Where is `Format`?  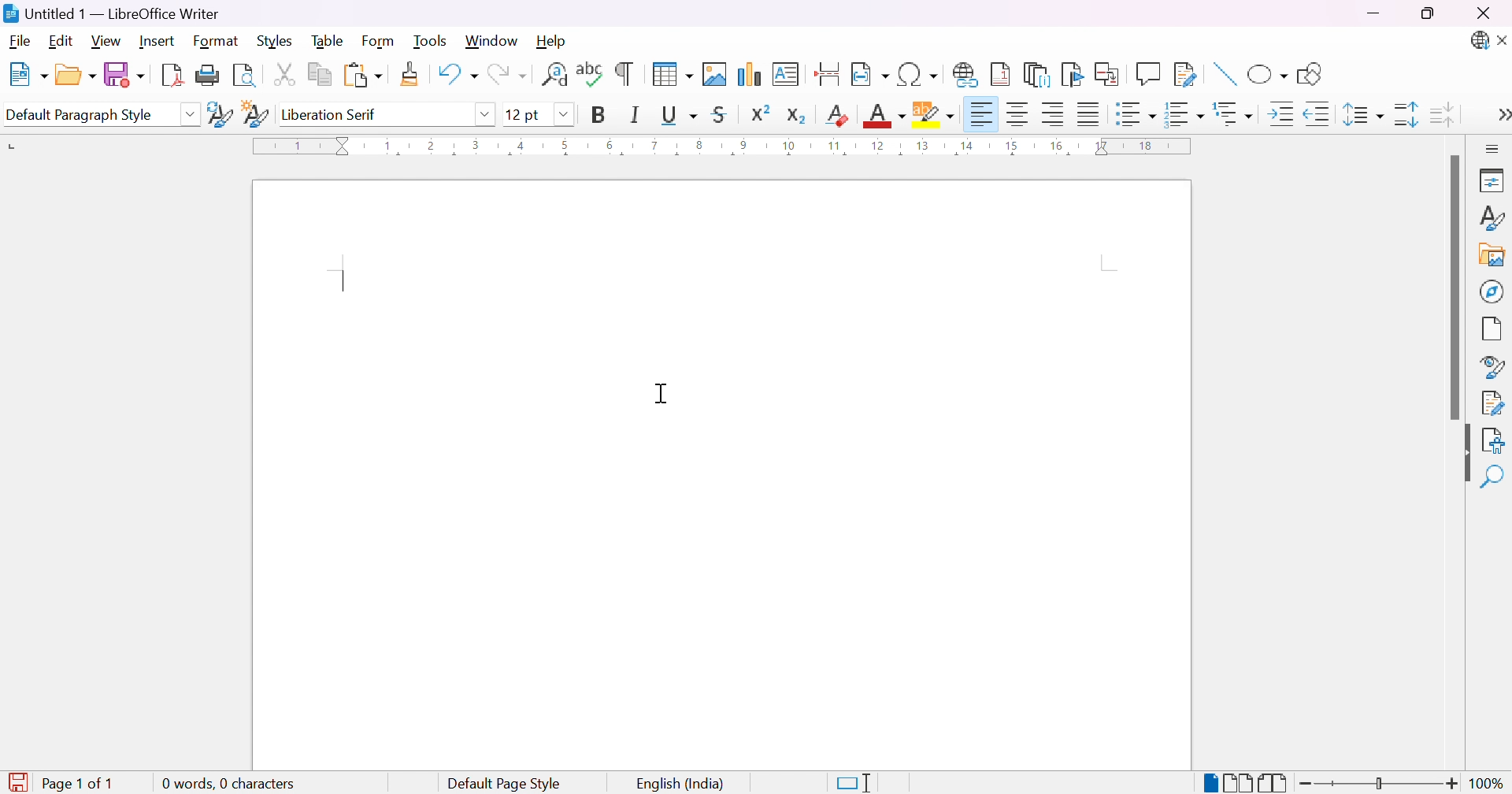 Format is located at coordinates (217, 42).